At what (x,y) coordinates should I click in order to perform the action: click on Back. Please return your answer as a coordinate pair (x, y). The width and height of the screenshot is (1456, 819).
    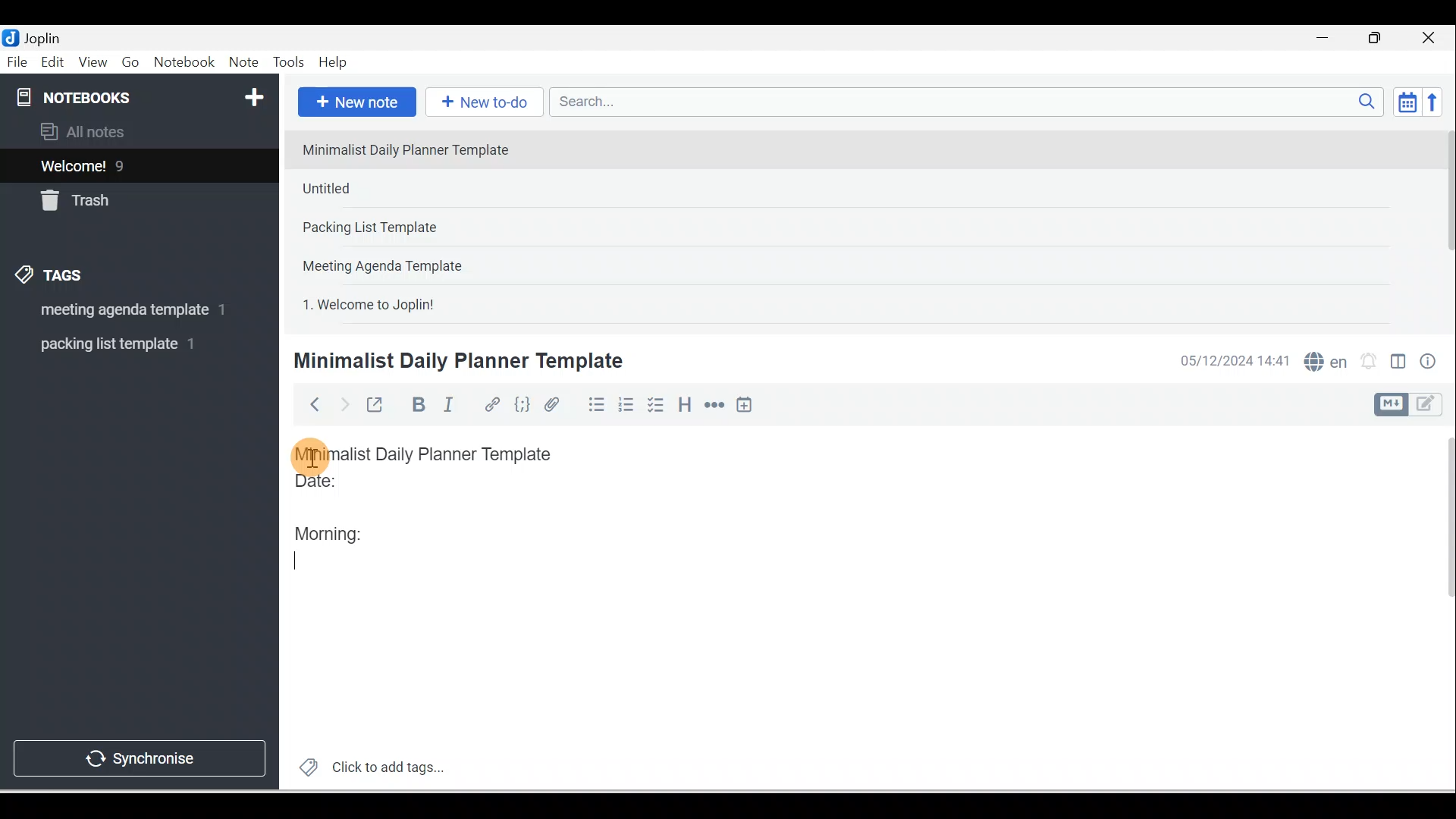
    Looking at the image, I should click on (308, 404).